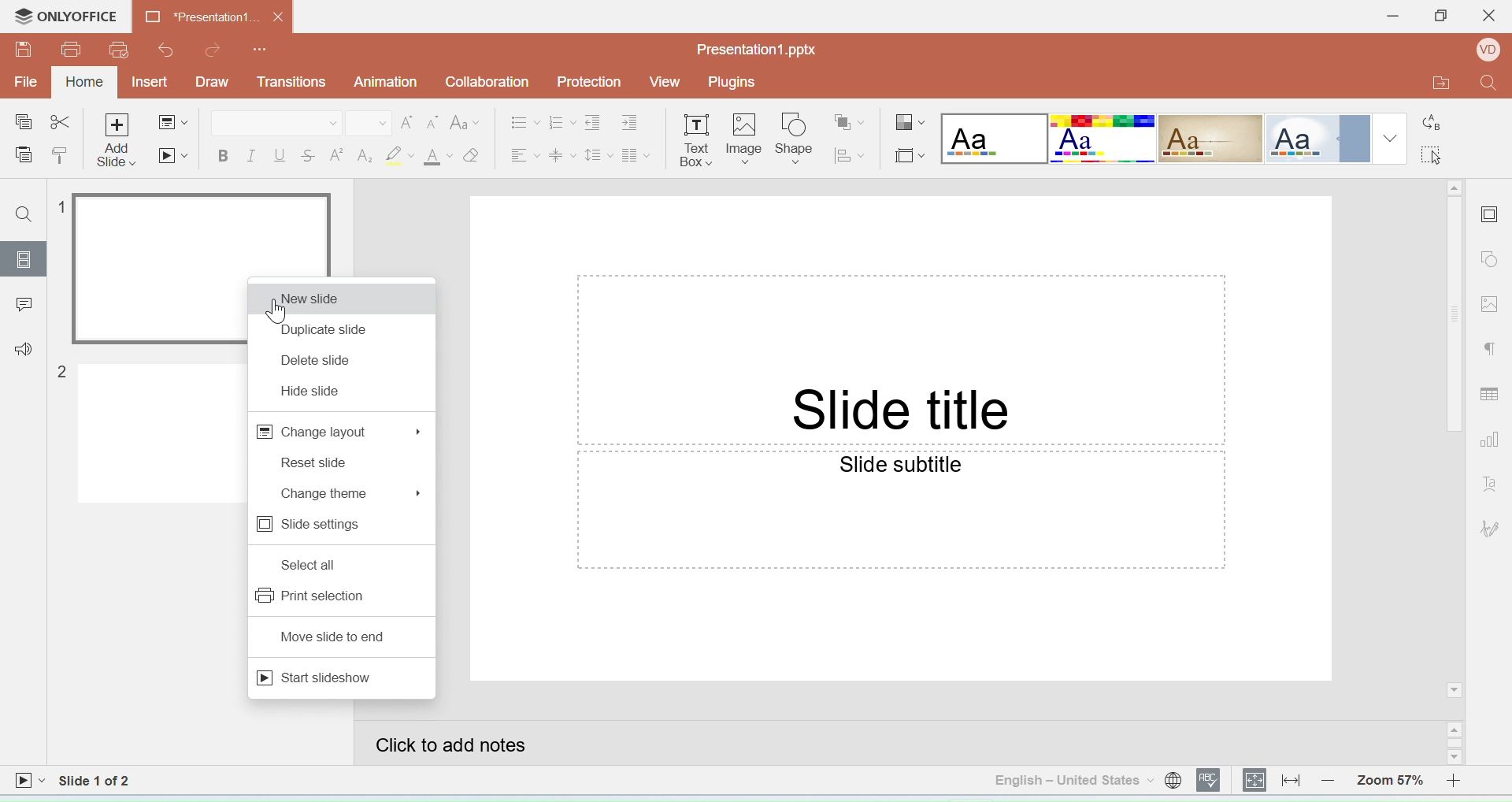  What do you see at coordinates (1291, 780) in the screenshot?
I see `Fit to width` at bounding box center [1291, 780].